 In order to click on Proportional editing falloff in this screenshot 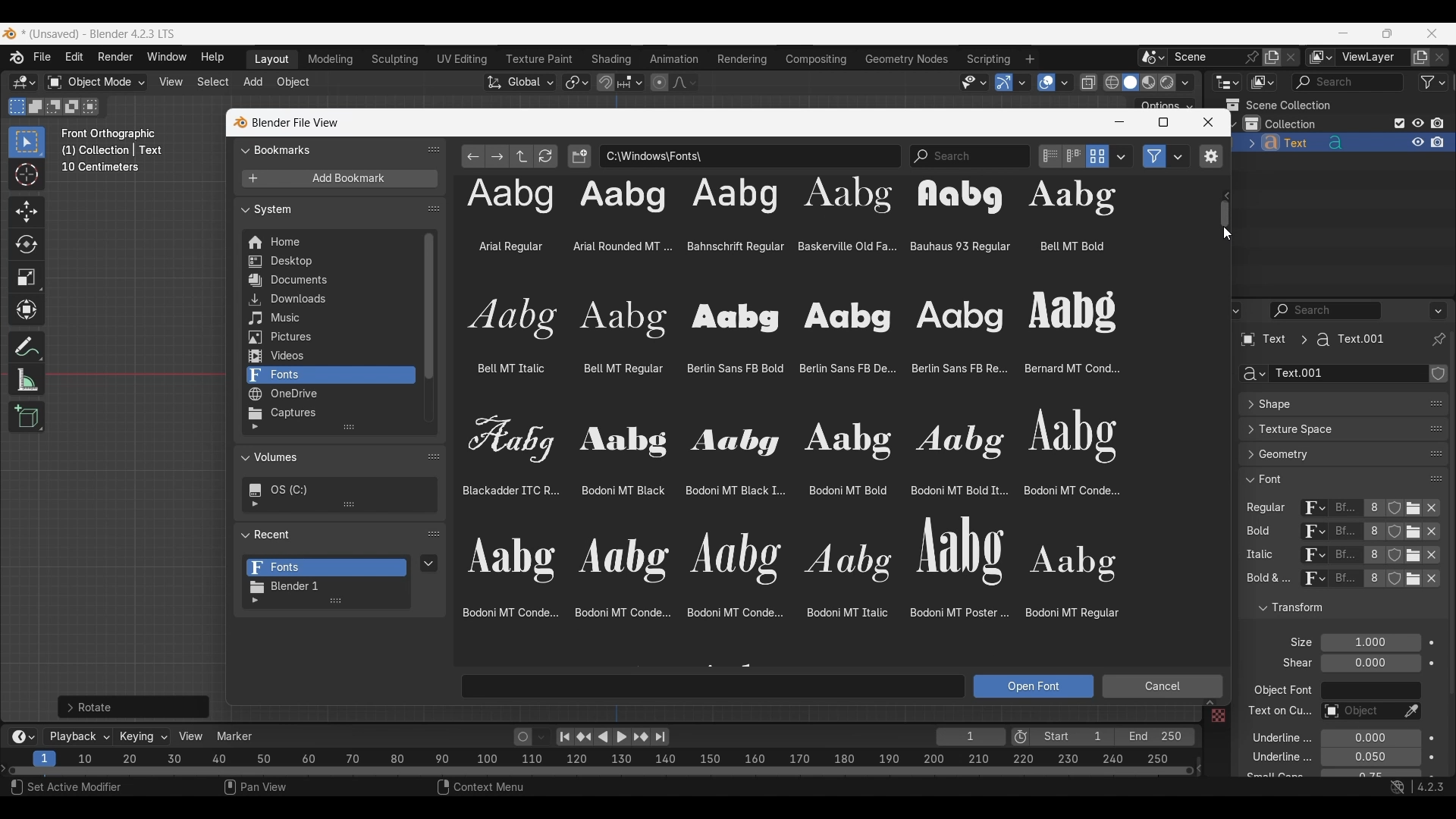, I will do `click(685, 82)`.